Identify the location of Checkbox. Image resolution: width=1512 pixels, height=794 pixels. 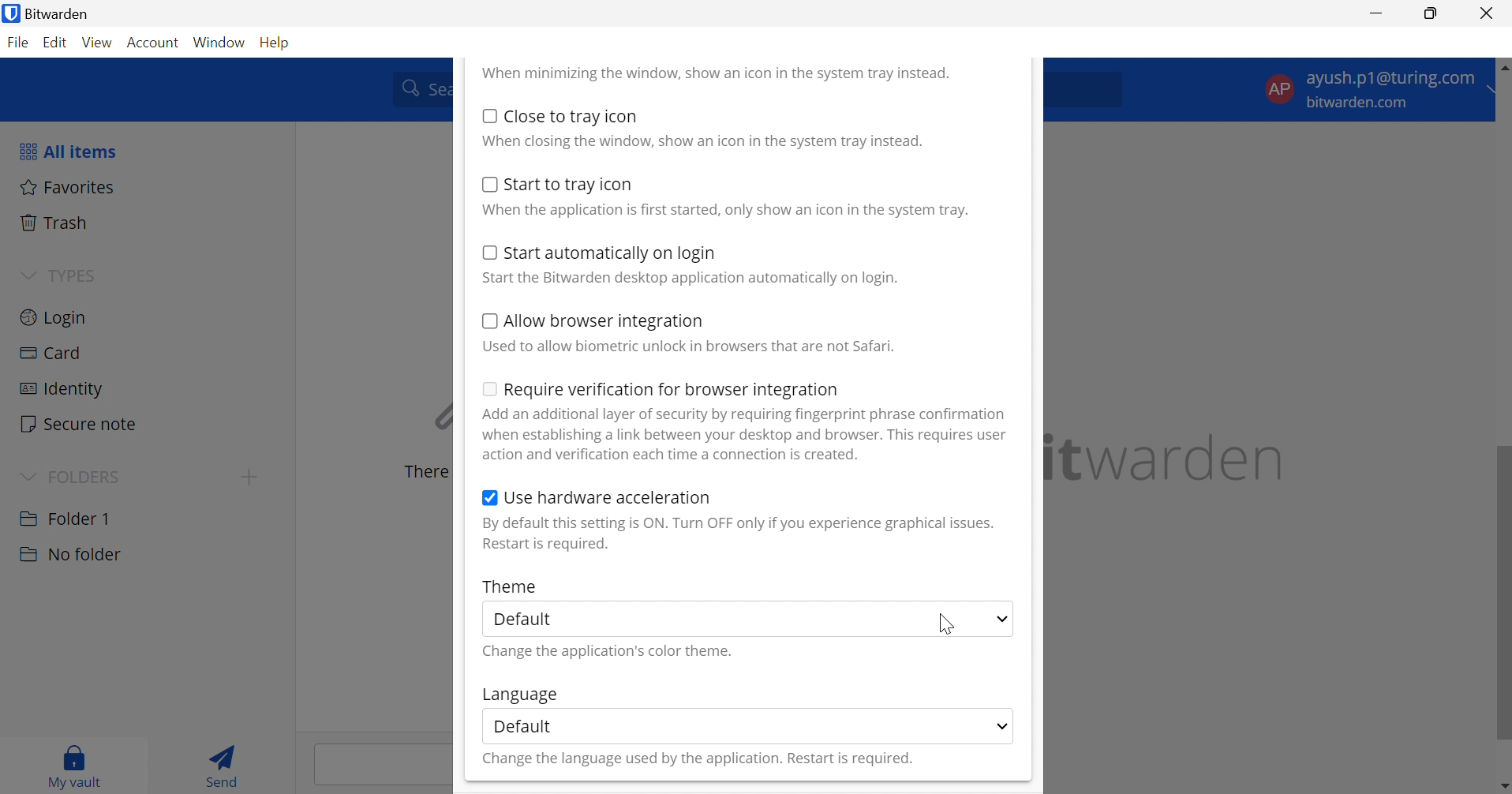
(487, 388).